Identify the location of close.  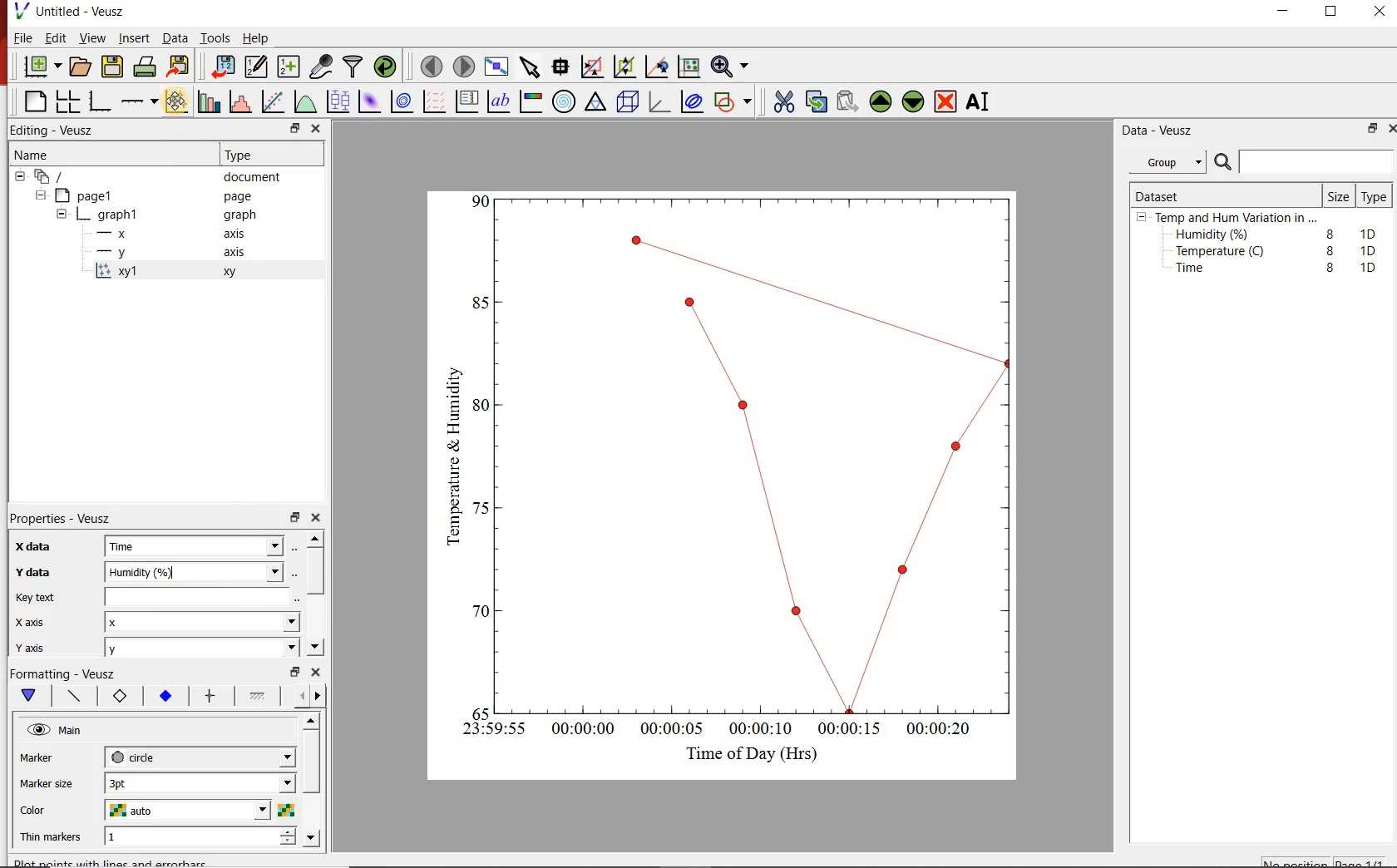
(318, 673).